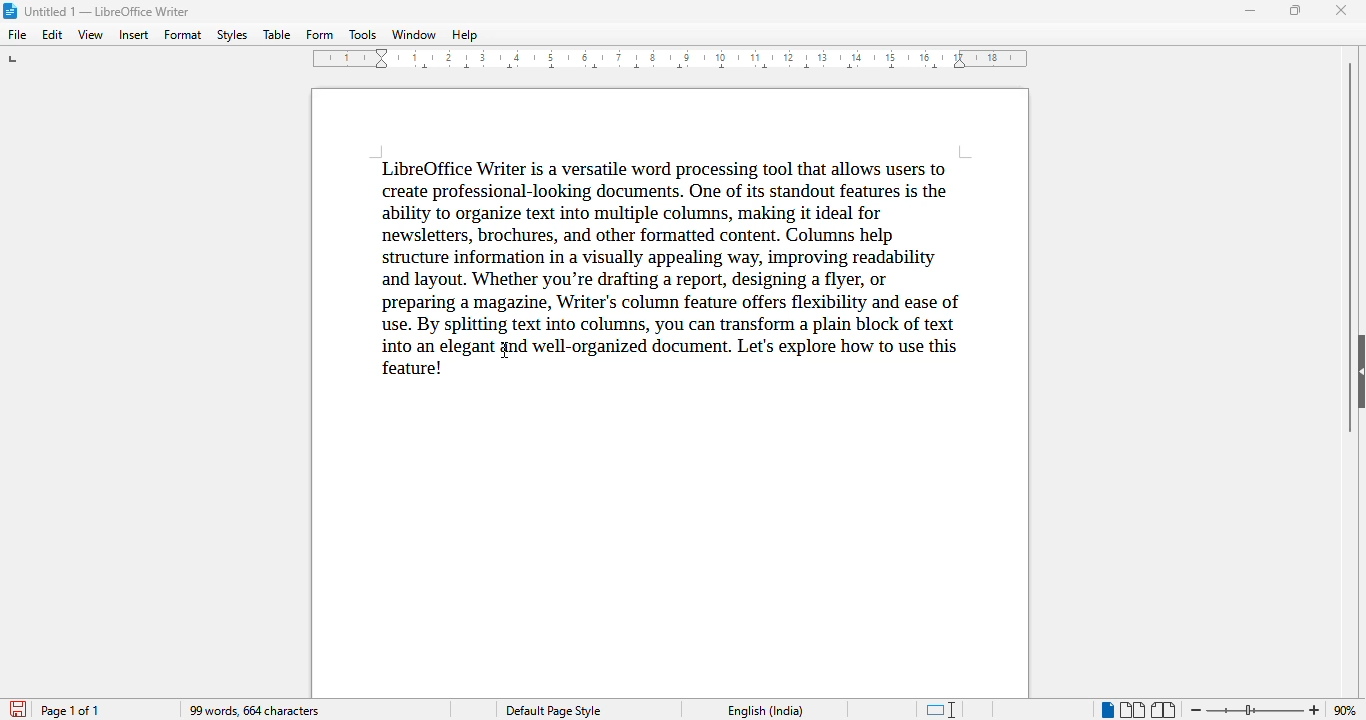 This screenshot has width=1366, height=720. I want to click on multi-page view, so click(1132, 710).